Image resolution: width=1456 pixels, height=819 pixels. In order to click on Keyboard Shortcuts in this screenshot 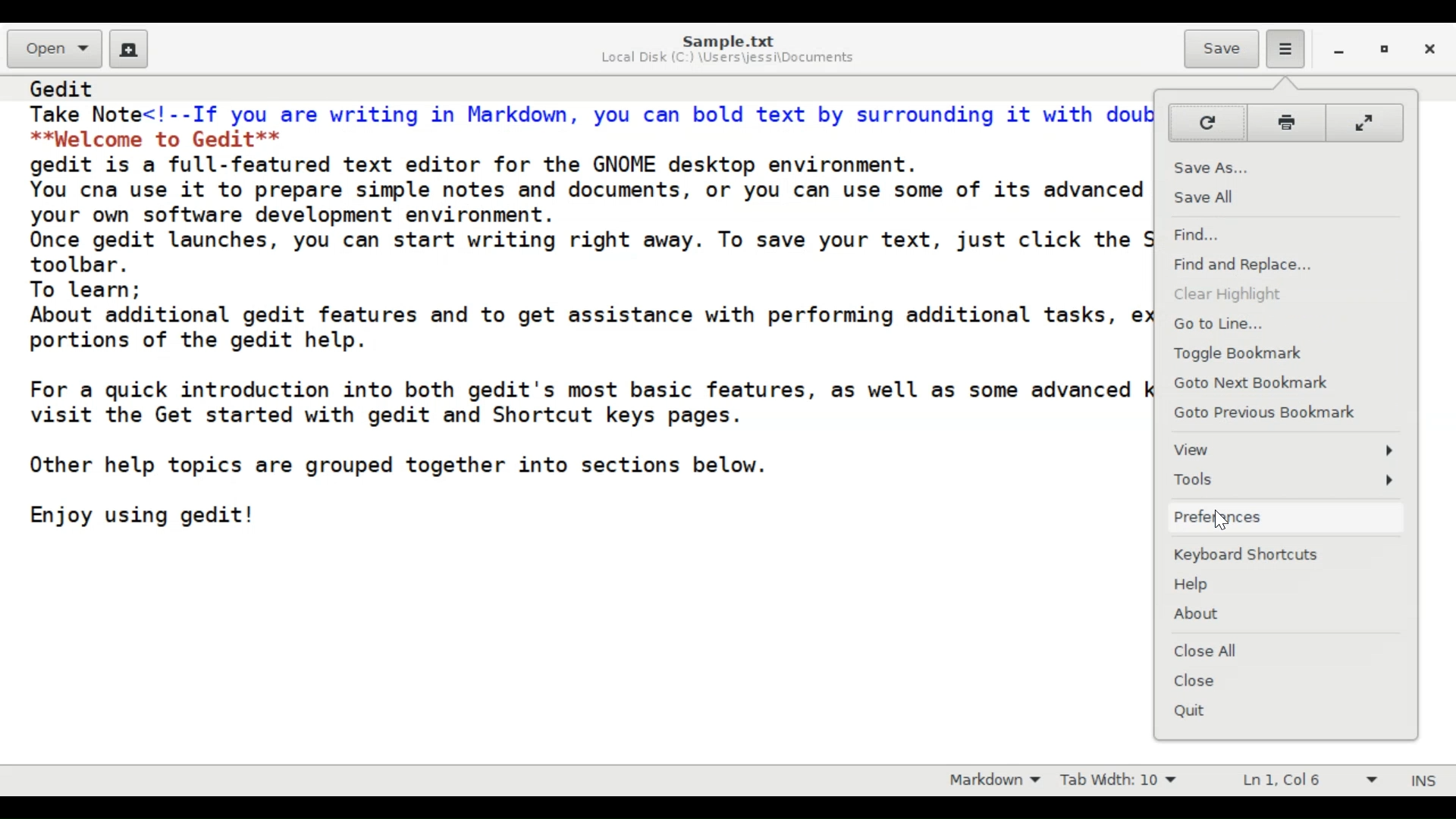, I will do `click(1285, 554)`.